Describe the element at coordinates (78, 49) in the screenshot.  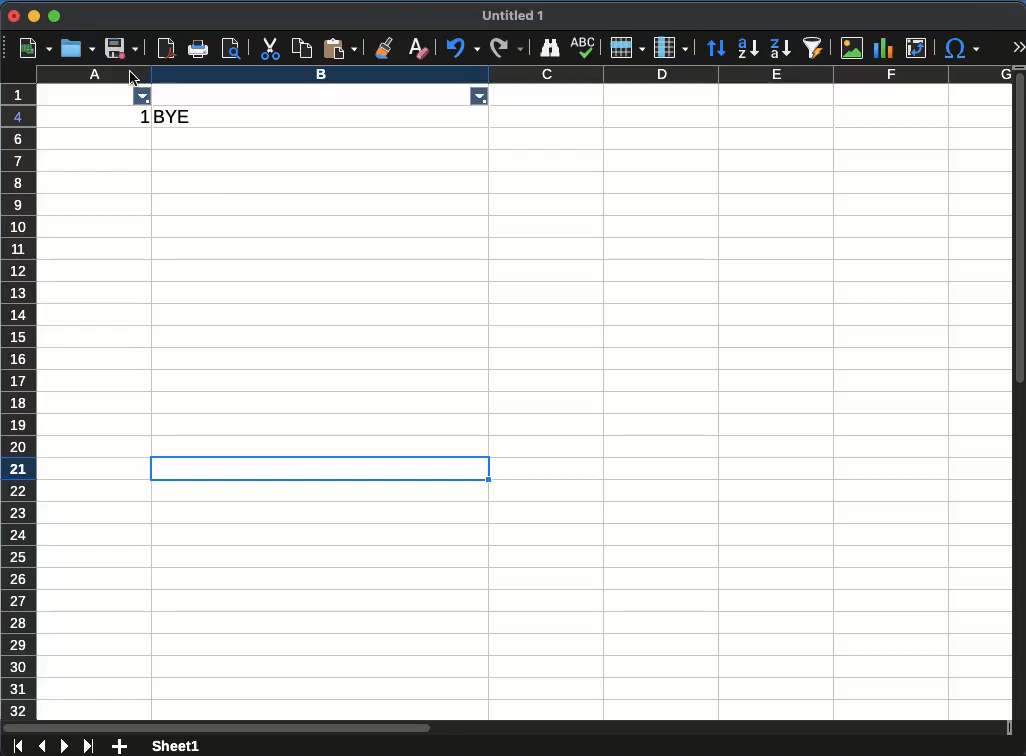
I see `open` at that location.